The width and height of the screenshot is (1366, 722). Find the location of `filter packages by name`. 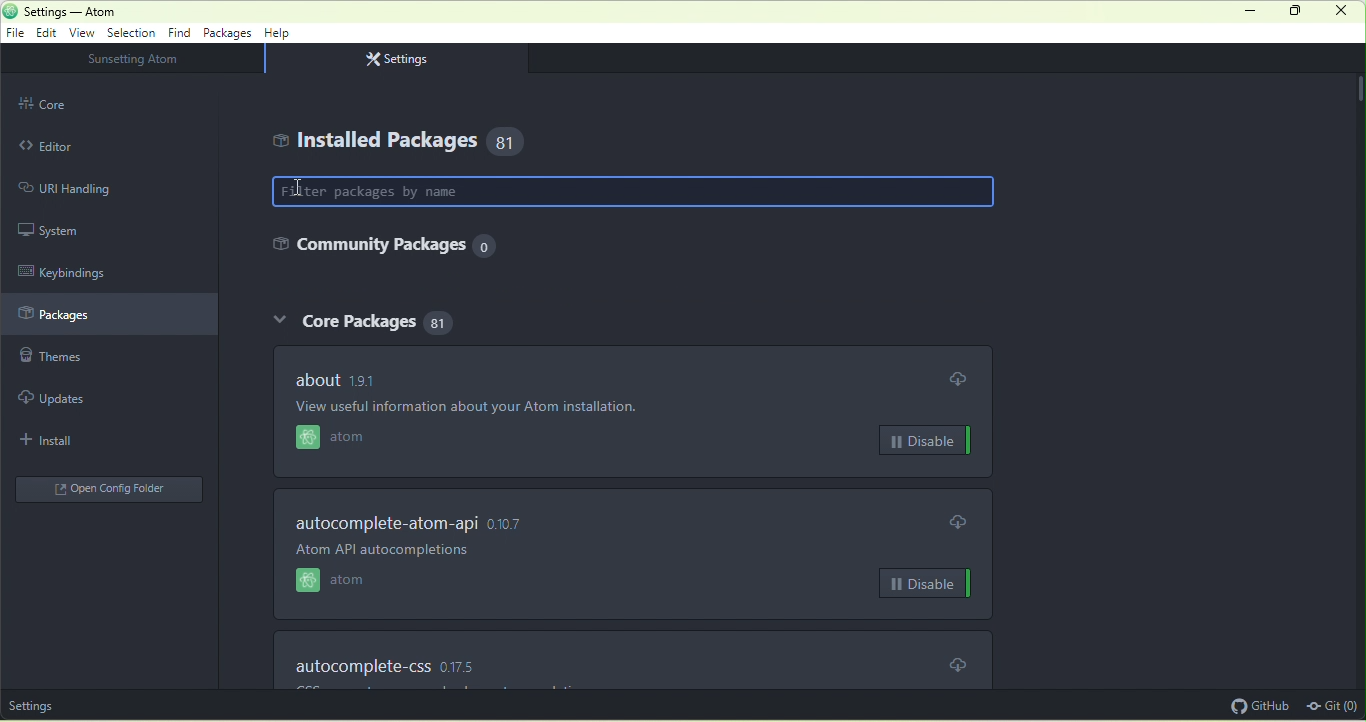

filter packages by name is located at coordinates (636, 192).